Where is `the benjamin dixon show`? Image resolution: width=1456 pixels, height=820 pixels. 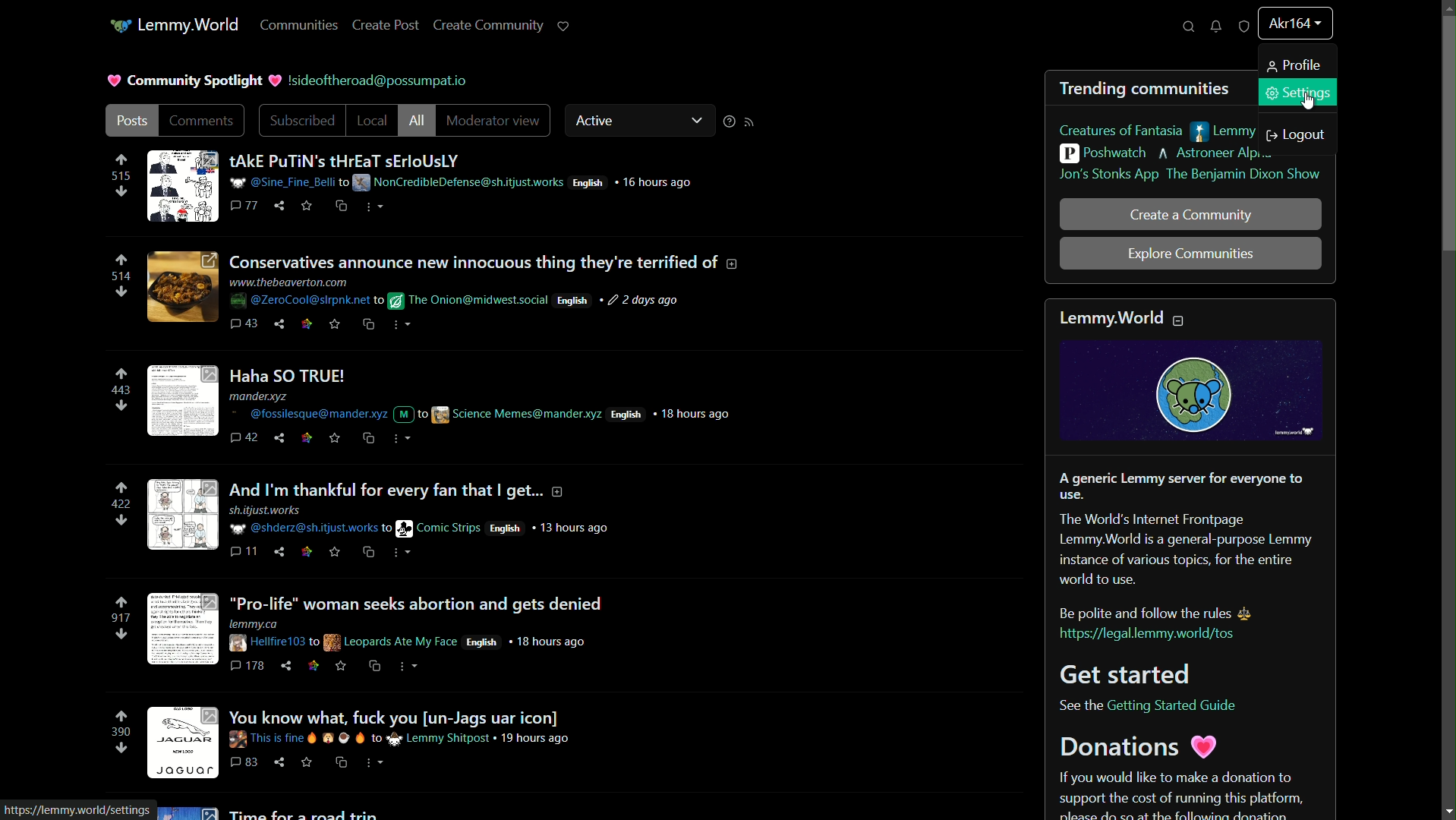
the benjamin dixon show is located at coordinates (1243, 175).